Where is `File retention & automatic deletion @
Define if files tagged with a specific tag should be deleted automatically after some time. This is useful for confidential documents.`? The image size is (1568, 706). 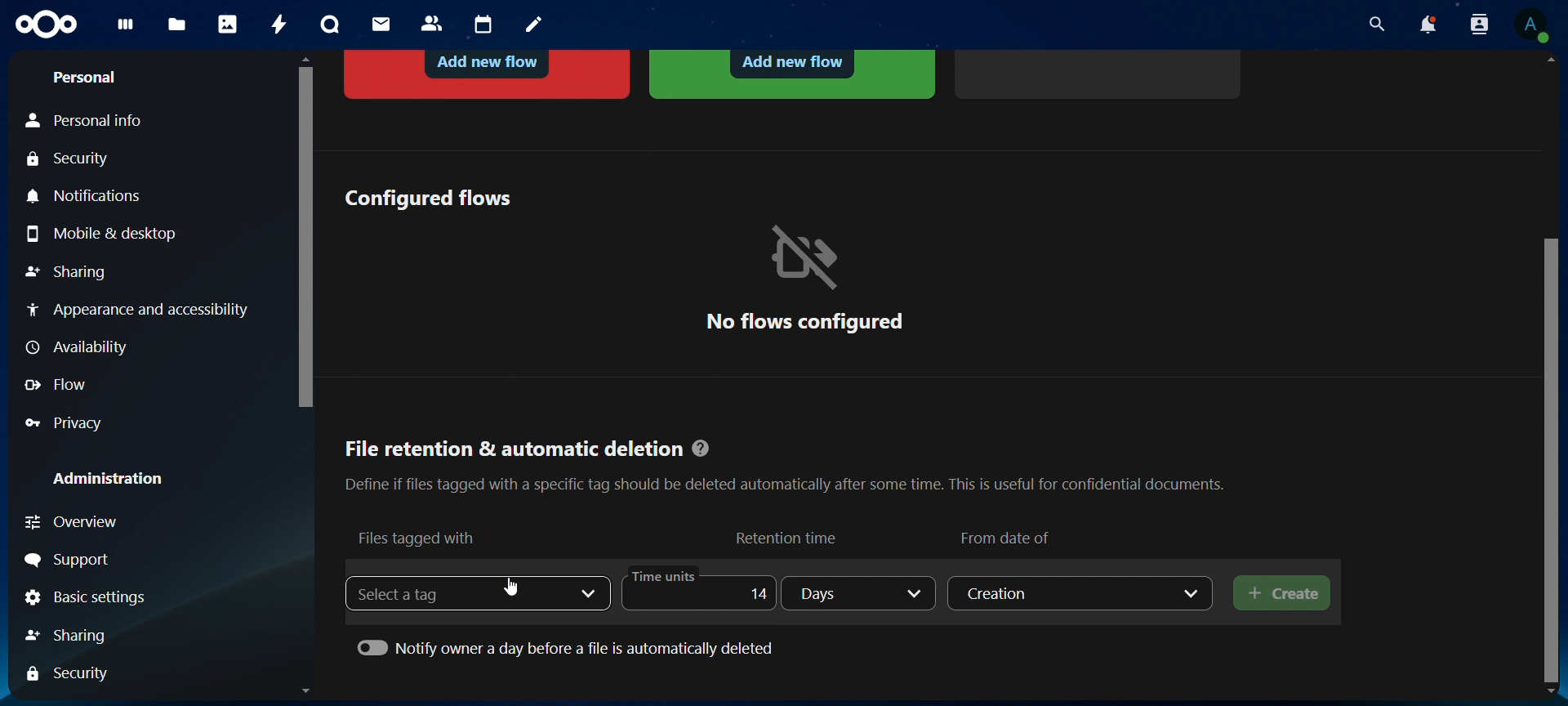
File retention & automatic deletion @
Define if files tagged with a specific tag should be deleted automatically after some time. This is useful for confidential documents. is located at coordinates (784, 460).